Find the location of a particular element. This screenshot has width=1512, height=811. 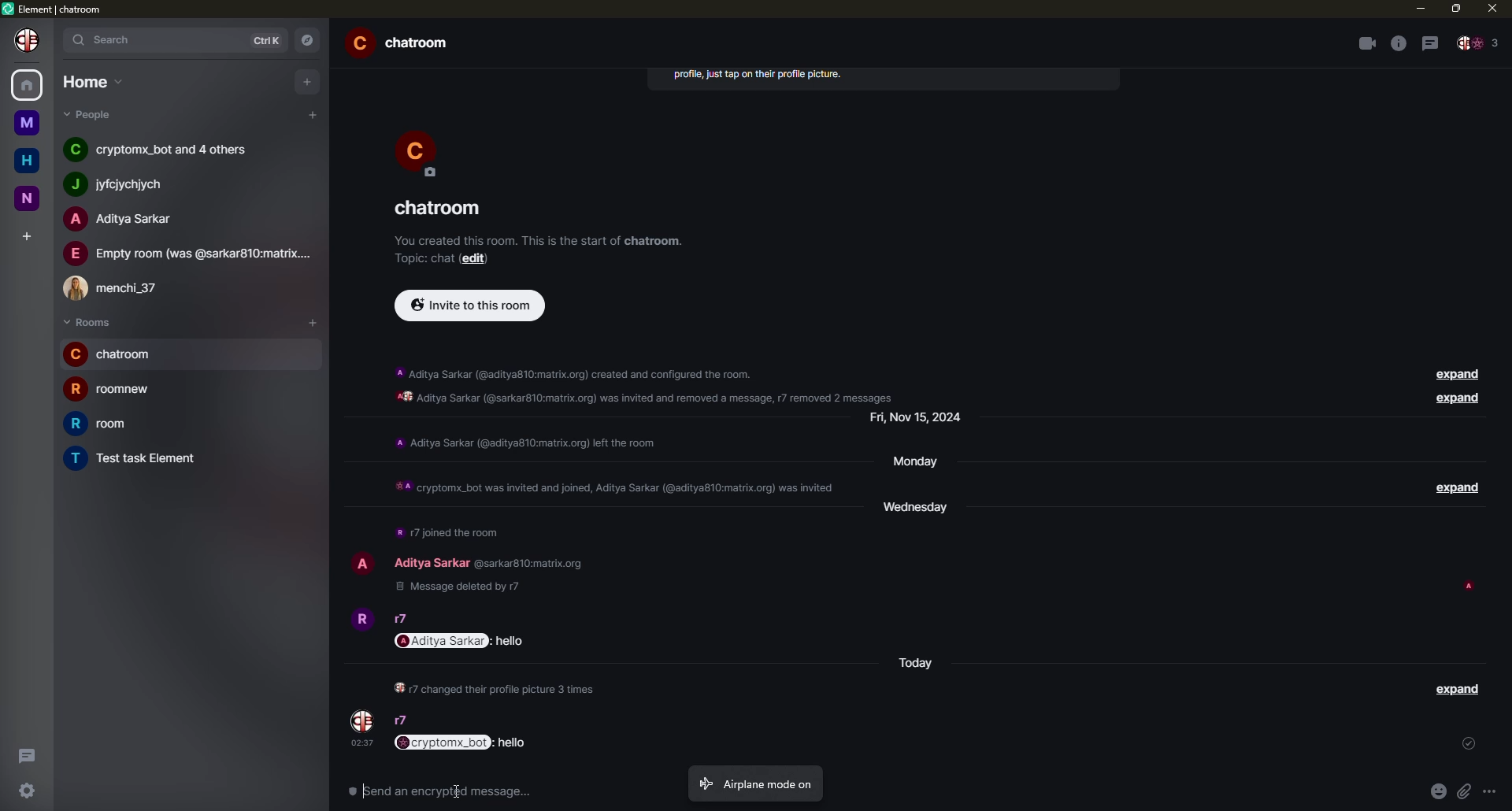

time is located at coordinates (364, 744).